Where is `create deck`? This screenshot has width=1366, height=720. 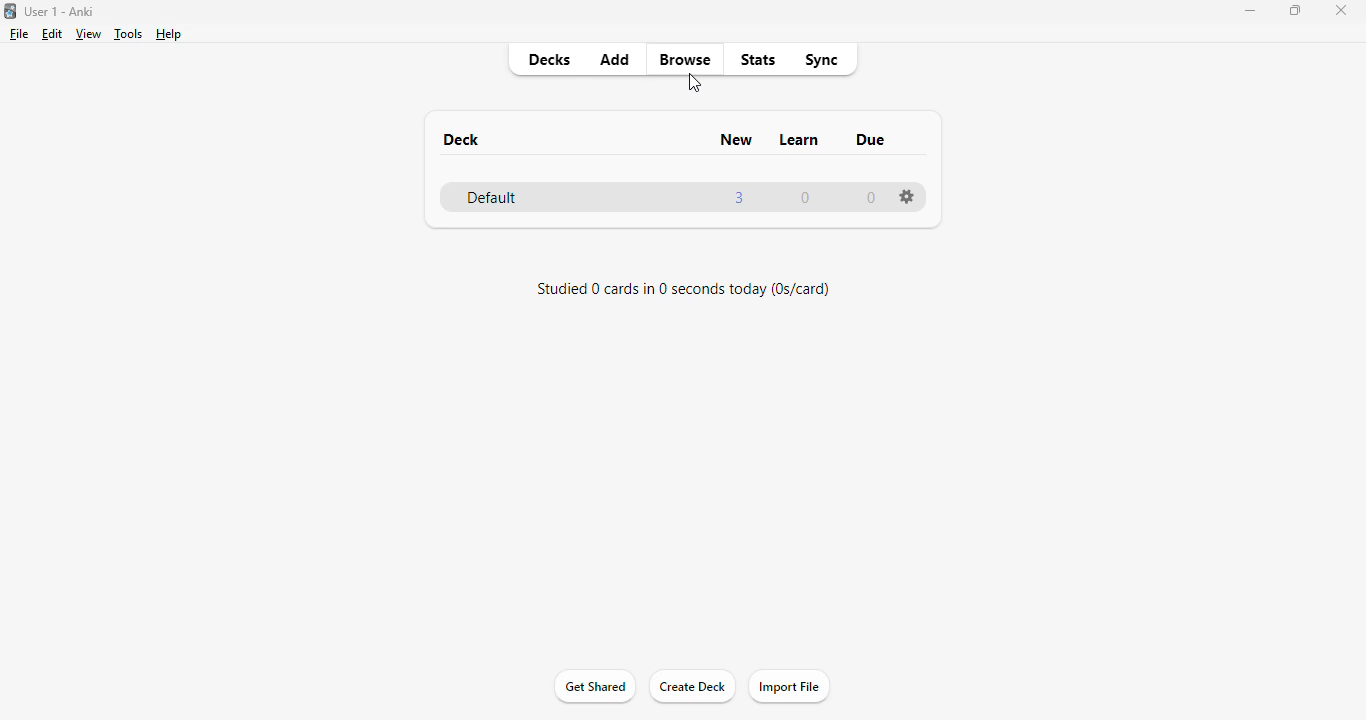
create deck is located at coordinates (692, 687).